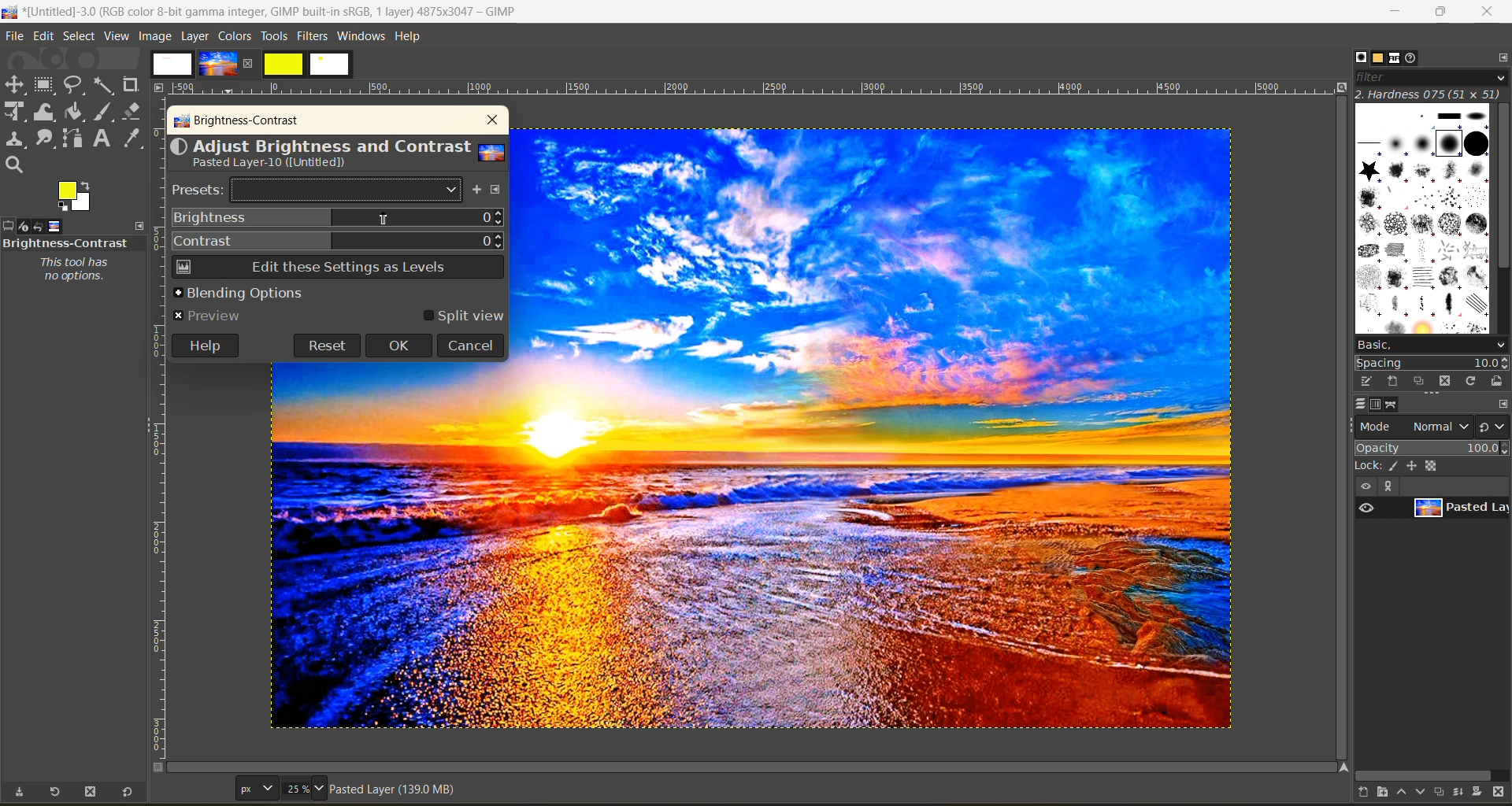 The image size is (1512, 806). I want to click on configure this tab, so click(1503, 405).